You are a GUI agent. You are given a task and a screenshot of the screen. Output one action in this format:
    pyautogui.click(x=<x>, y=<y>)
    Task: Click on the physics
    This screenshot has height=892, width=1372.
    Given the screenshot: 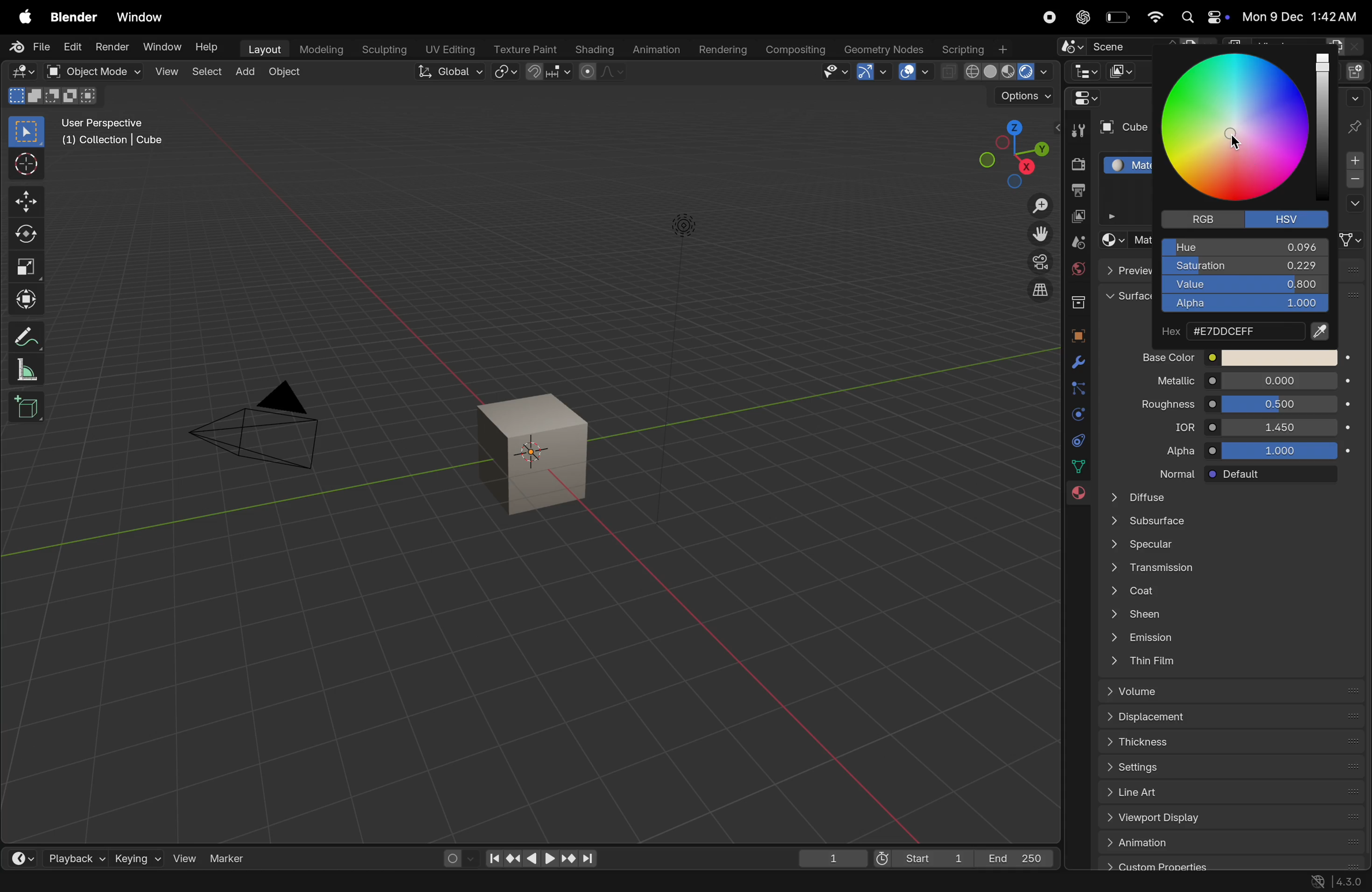 What is the action you would take?
    pyautogui.click(x=1076, y=414)
    